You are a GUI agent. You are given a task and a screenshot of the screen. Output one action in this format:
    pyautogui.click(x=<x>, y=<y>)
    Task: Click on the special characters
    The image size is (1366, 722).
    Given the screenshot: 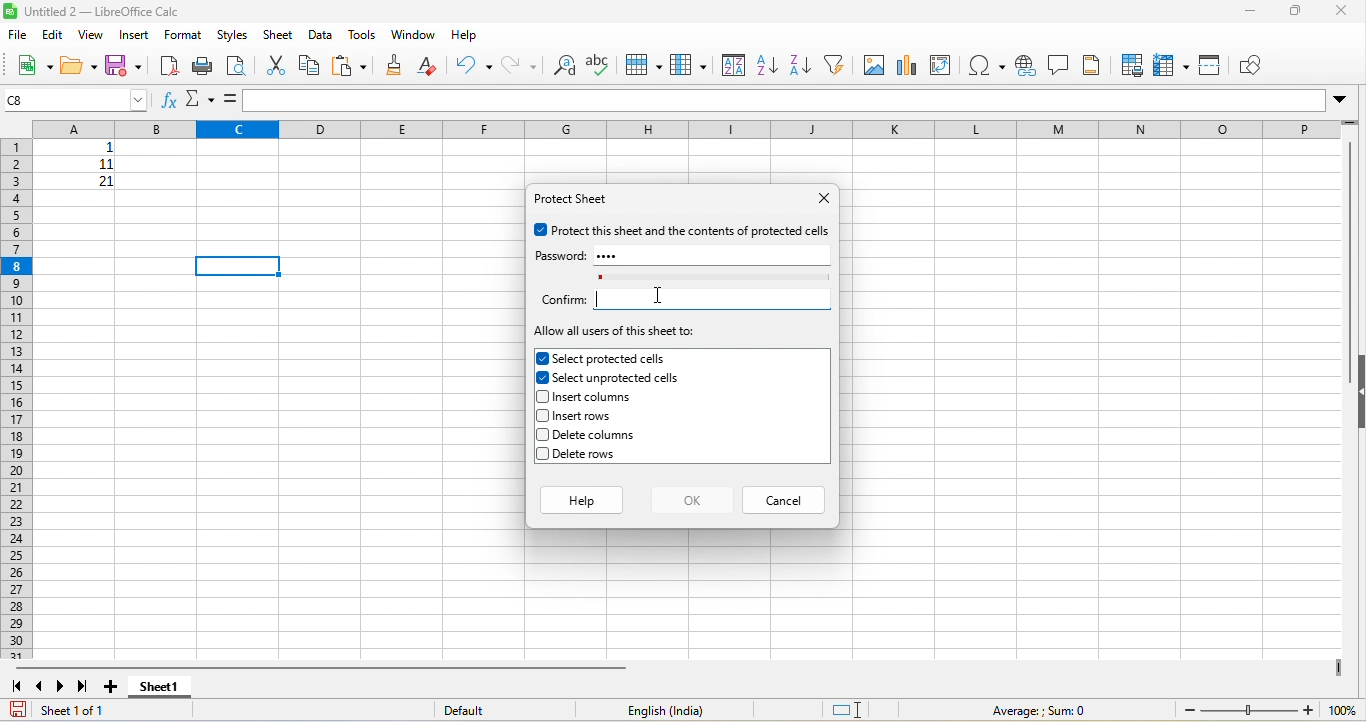 What is the action you would take?
    pyautogui.click(x=988, y=64)
    